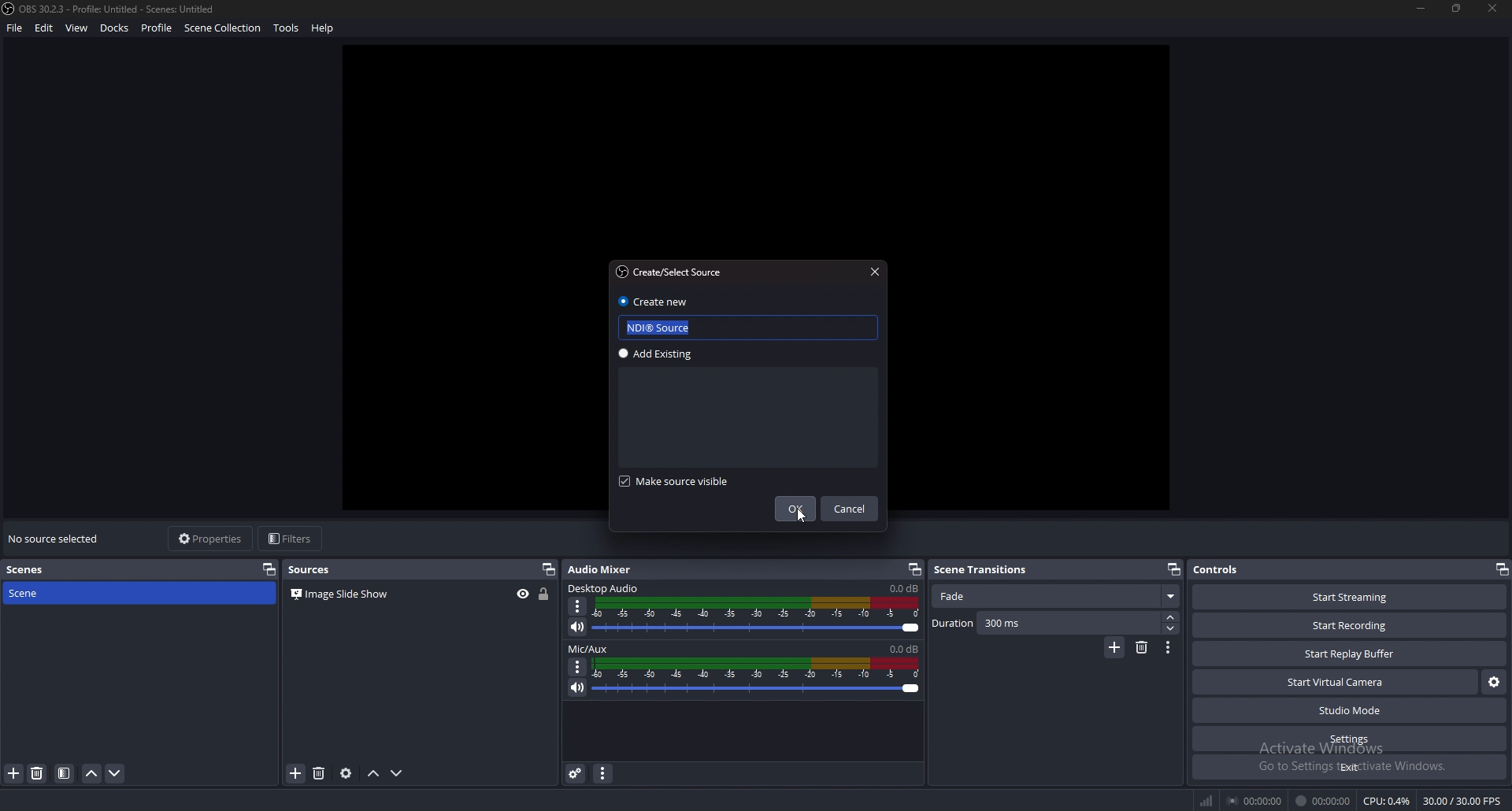 This screenshot has height=811, width=1512. I want to click on input name, so click(669, 328).